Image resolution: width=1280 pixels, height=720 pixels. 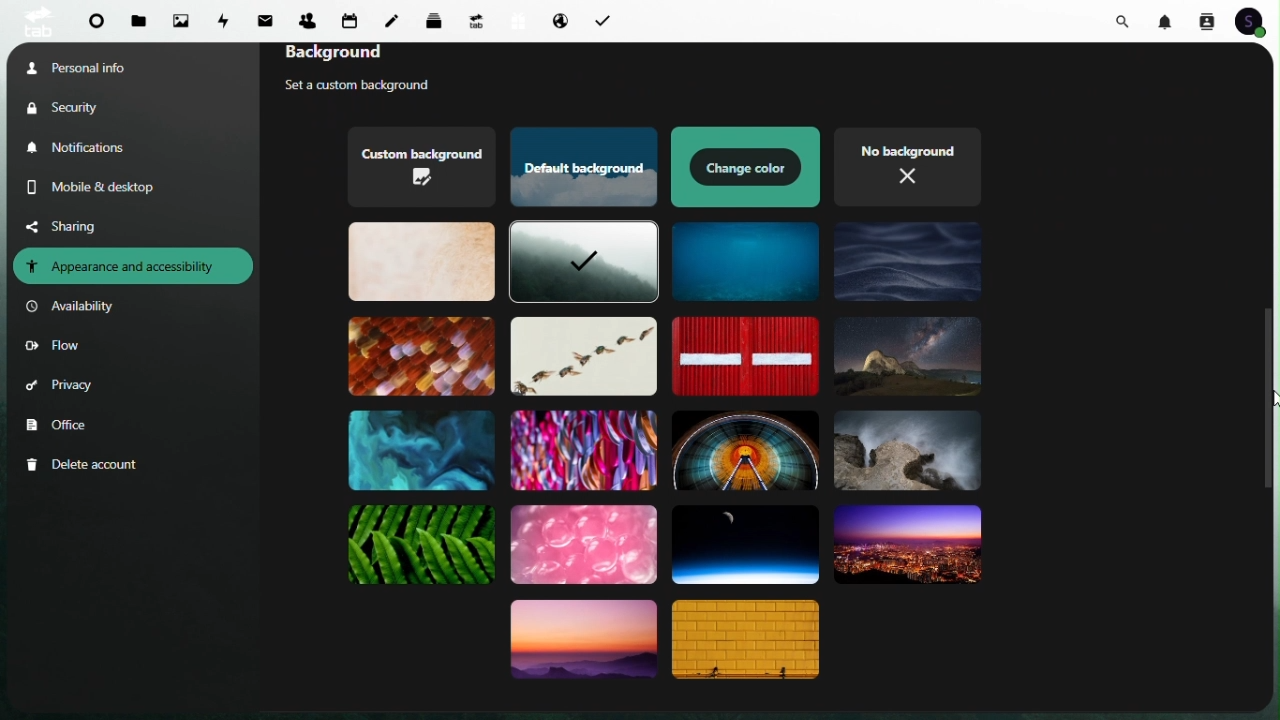 I want to click on Themes, so click(x=422, y=263).